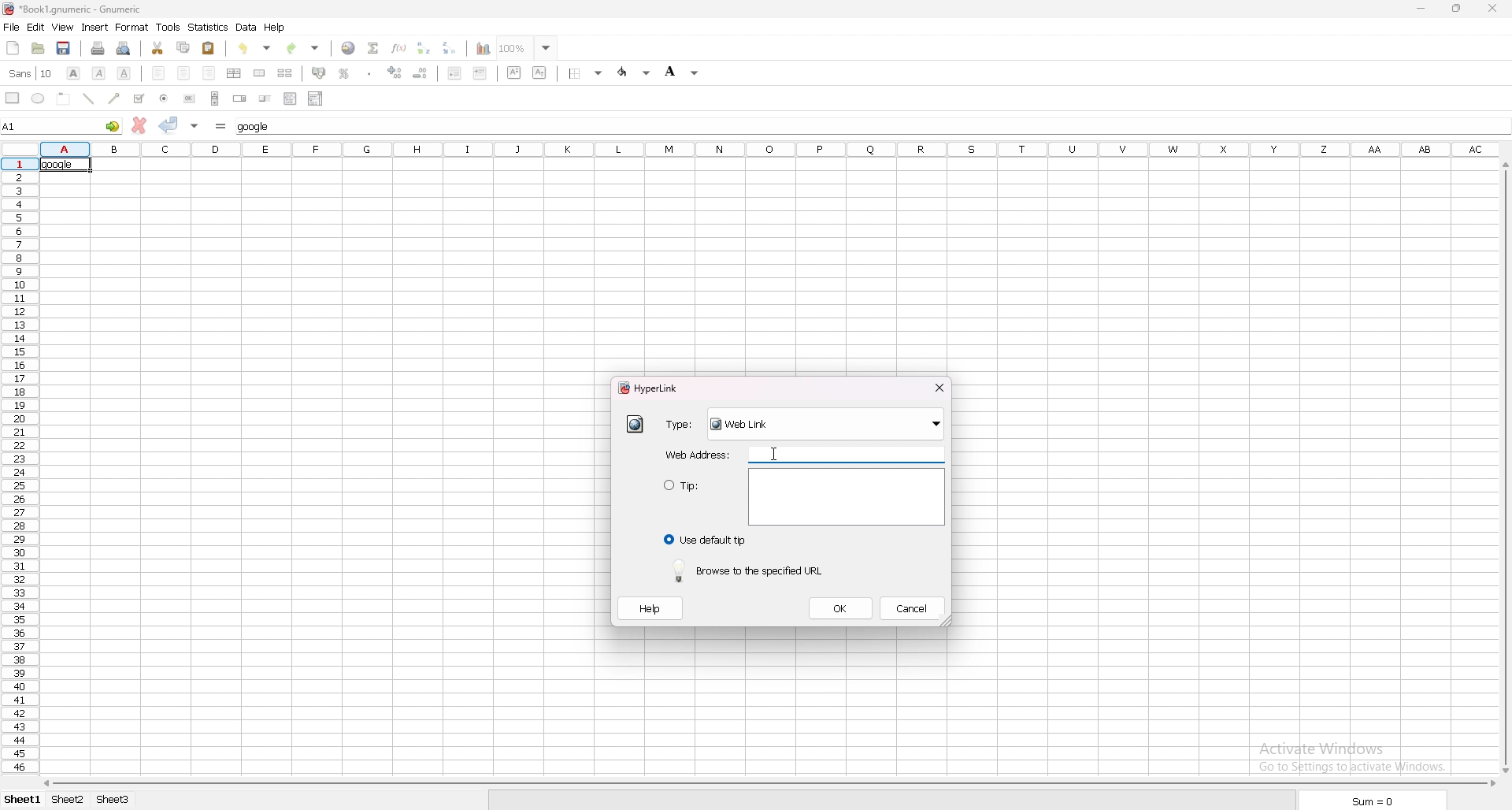 This screenshot has height=810, width=1512. What do you see at coordinates (183, 72) in the screenshot?
I see `centre` at bounding box center [183, 72].